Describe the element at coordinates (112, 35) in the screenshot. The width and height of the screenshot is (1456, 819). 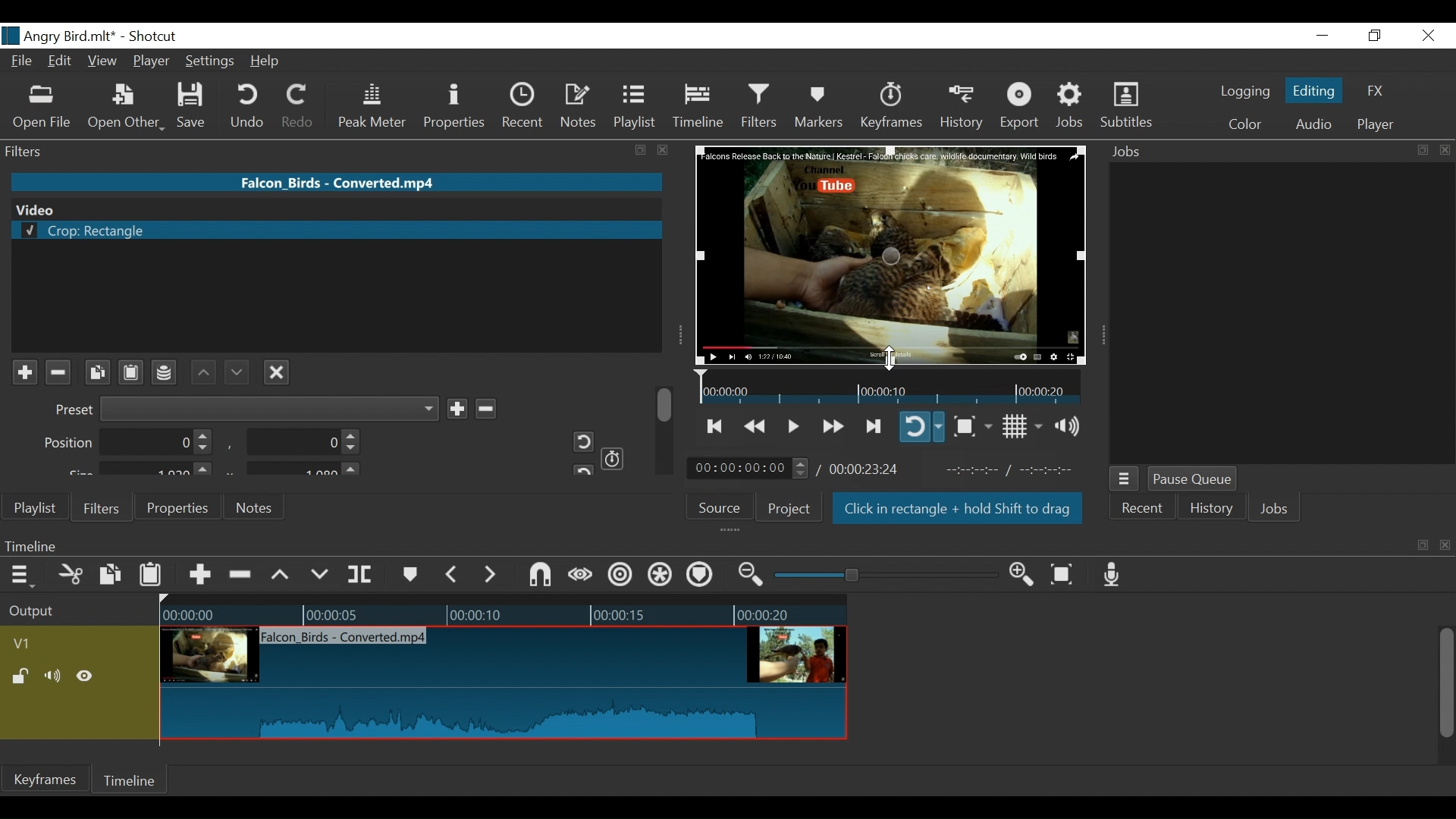
I see `title` at that location.